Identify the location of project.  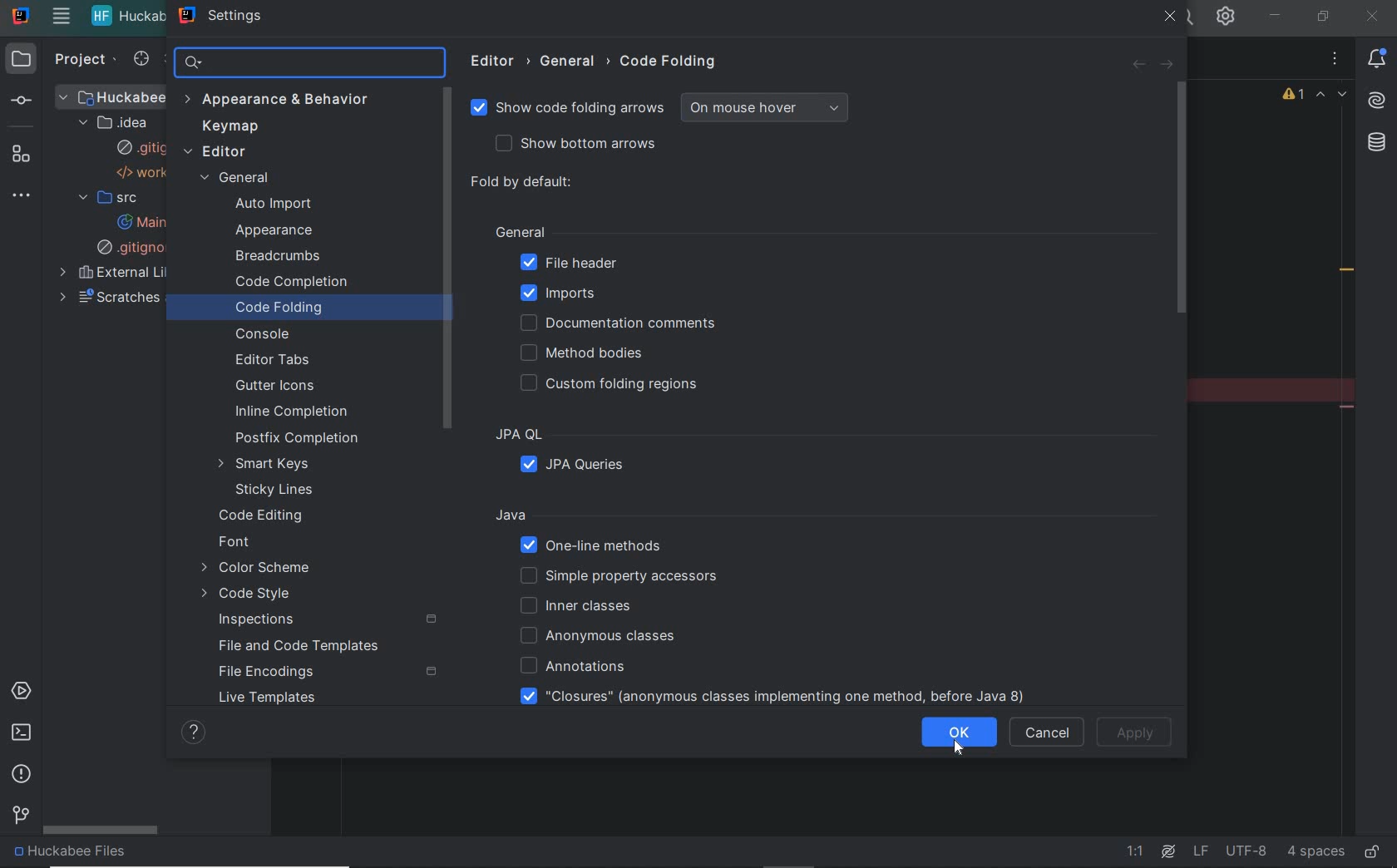
(25, 60).